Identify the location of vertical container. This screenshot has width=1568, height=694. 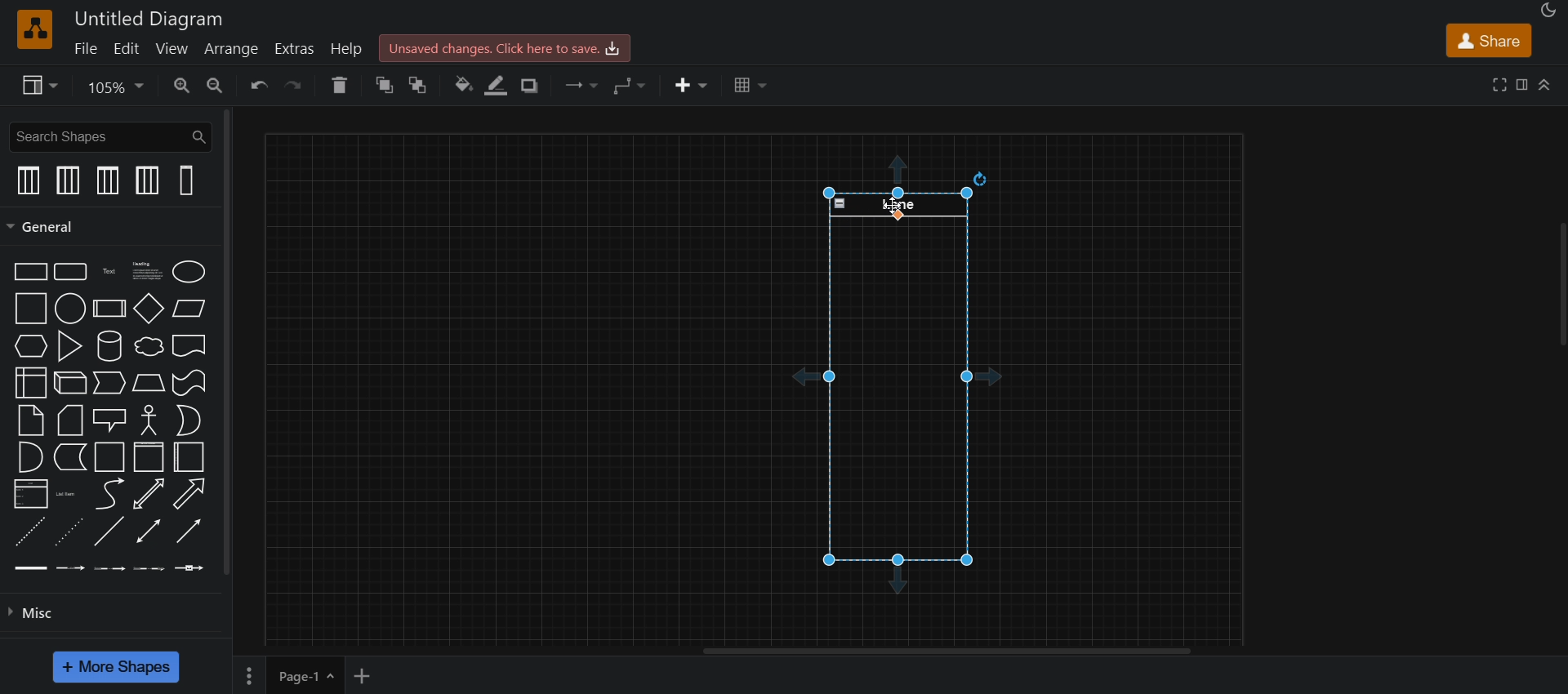
(187, 458).